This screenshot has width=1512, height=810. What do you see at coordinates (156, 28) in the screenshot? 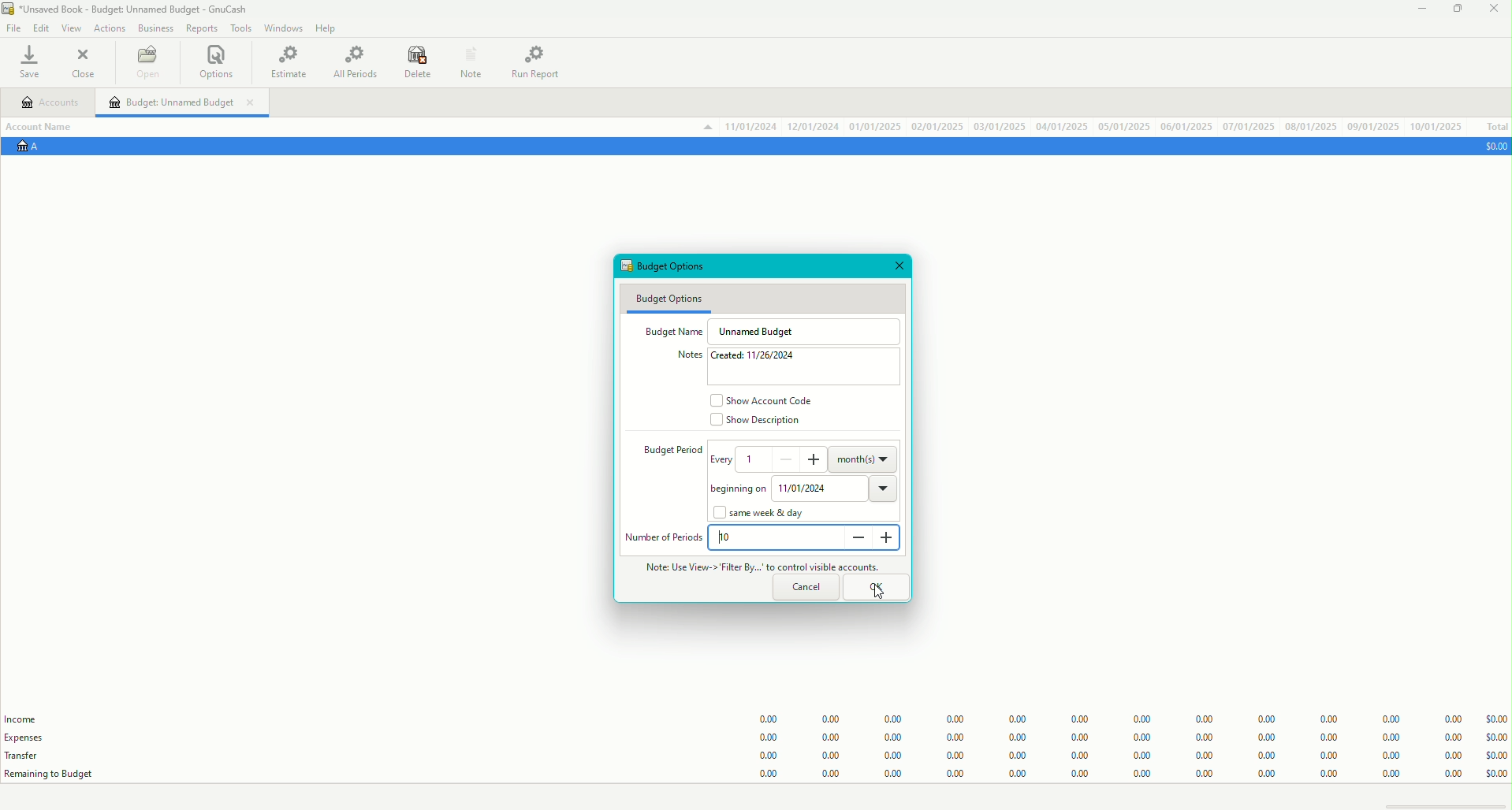
I see `Business` at bounding box center [156, 28].